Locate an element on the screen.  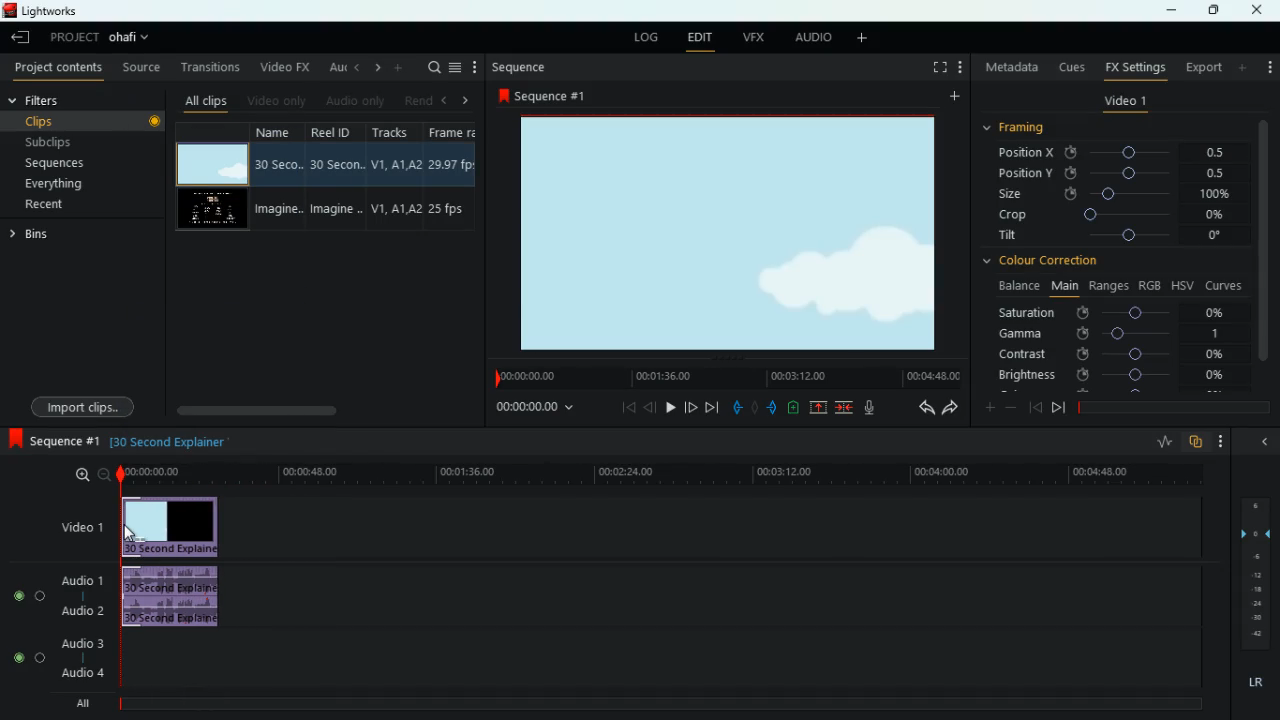
saturation is located at coordinates (1121, 314).